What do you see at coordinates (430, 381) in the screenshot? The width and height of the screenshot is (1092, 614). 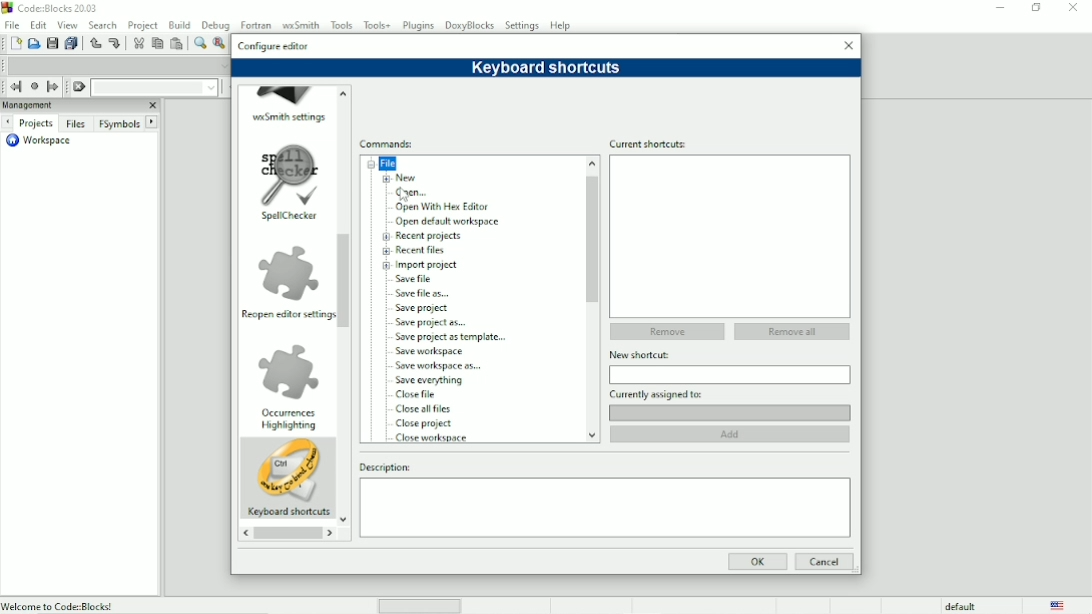 I see `Save everything` at bounding box center [430, 381].